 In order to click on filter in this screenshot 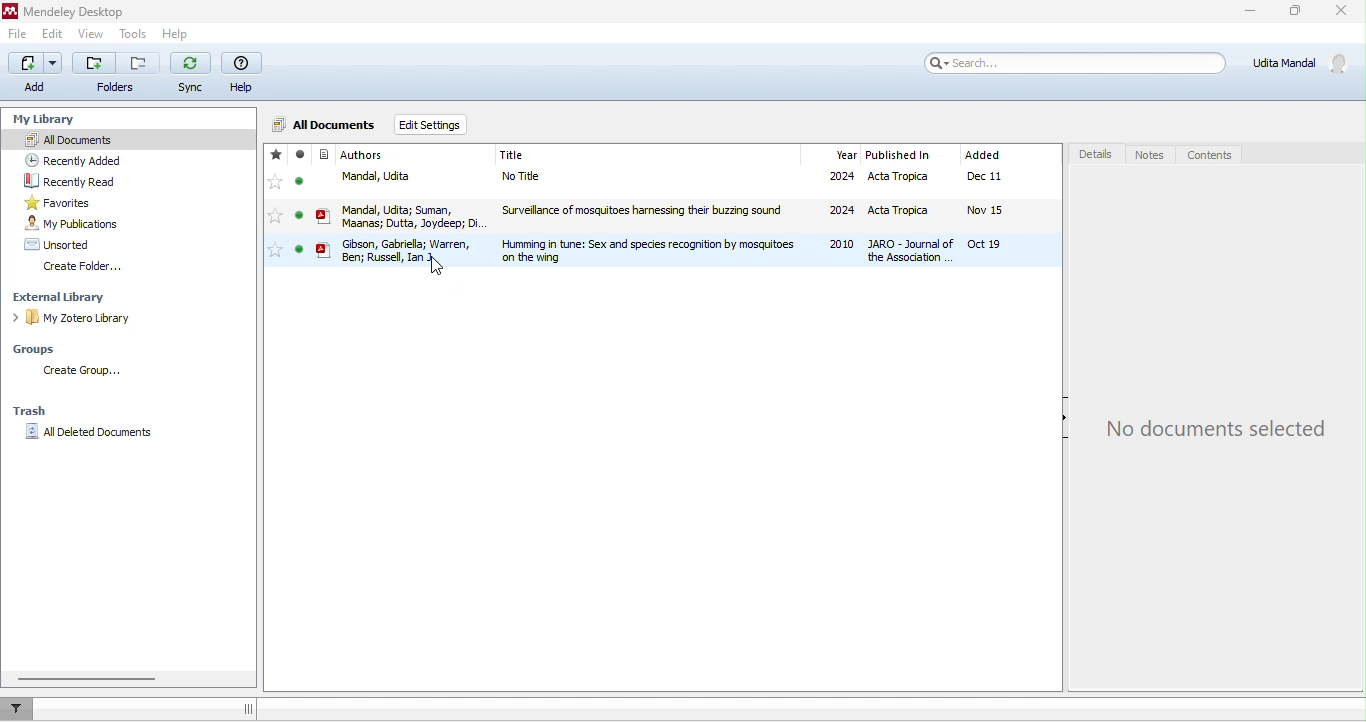, I will do `click(20, 707)`.